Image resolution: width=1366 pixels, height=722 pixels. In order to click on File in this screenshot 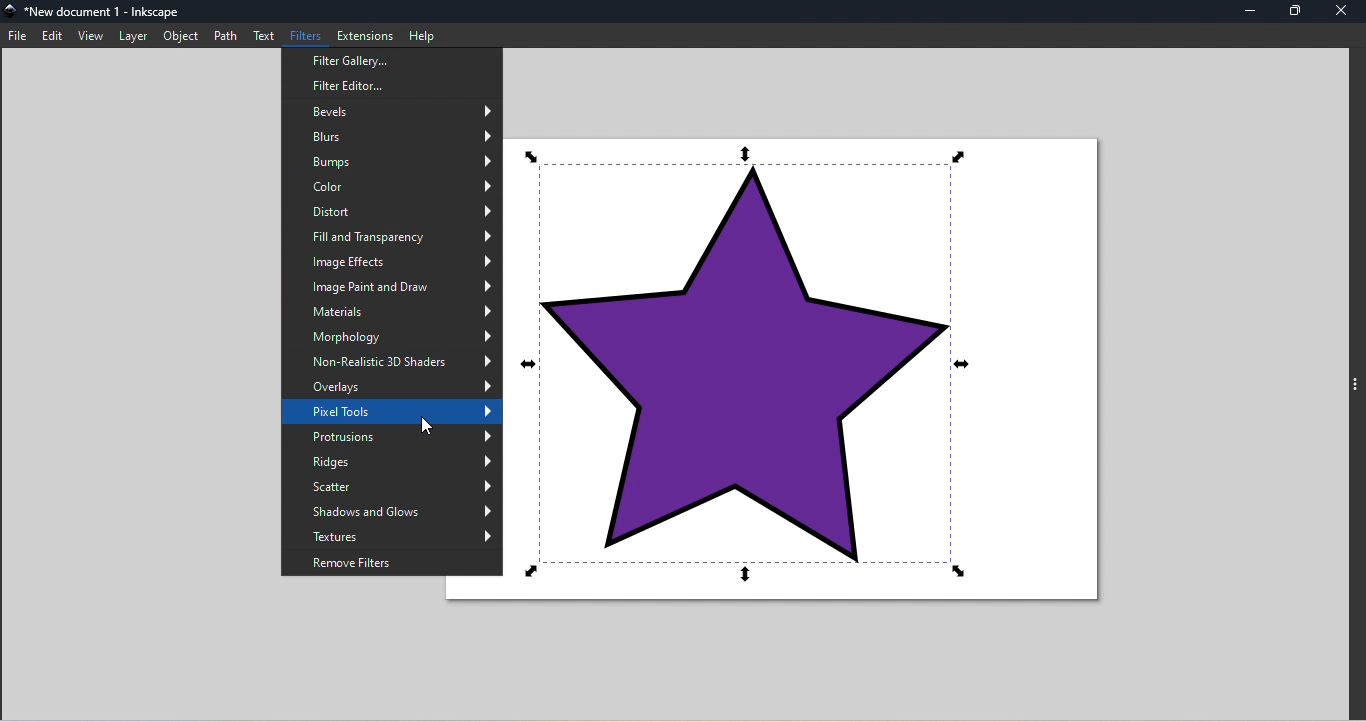, I will do `click(18, 38)`.